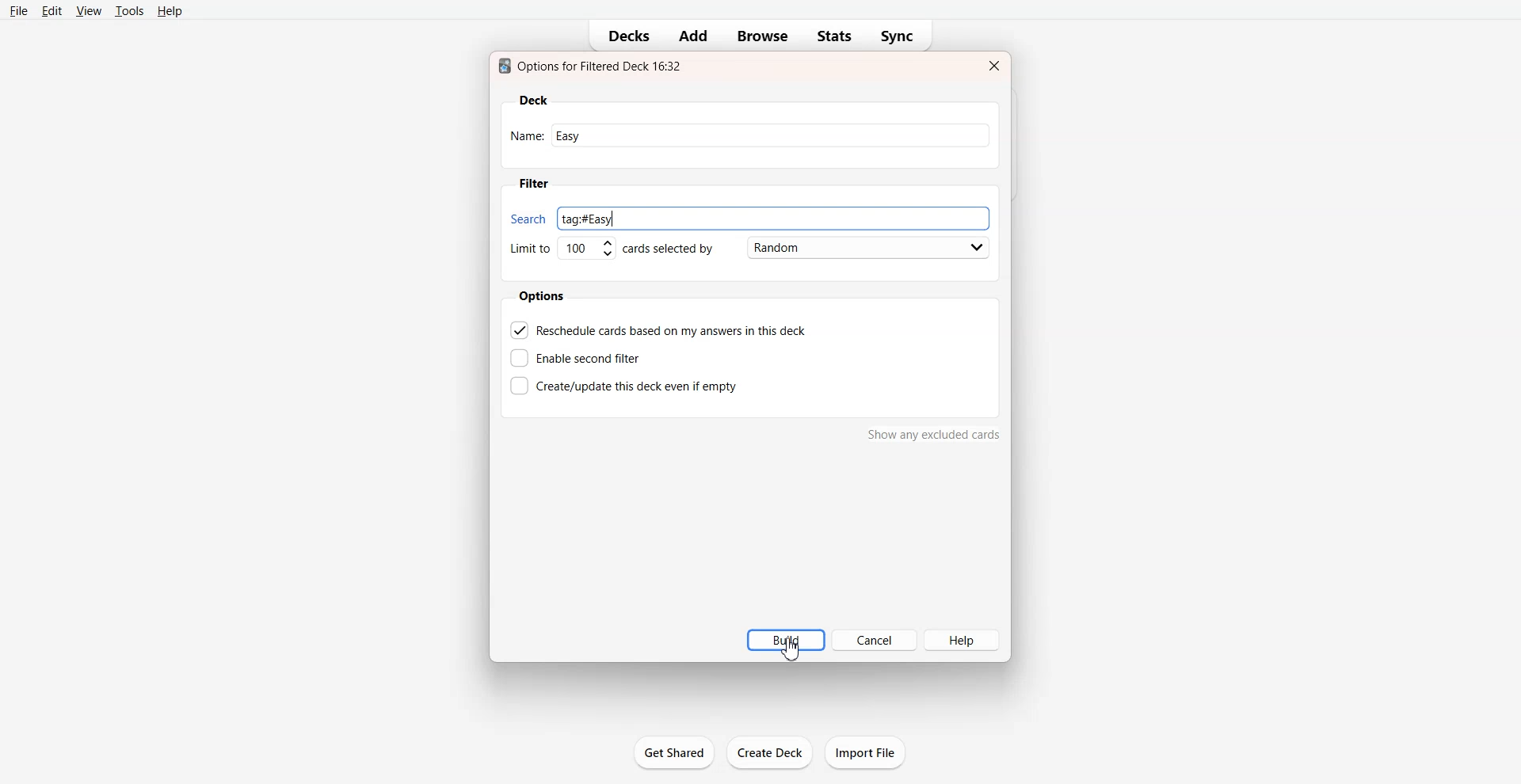 The width and height of the screenshot is (1521, 784). I want to click on Build, so click(786, 640).